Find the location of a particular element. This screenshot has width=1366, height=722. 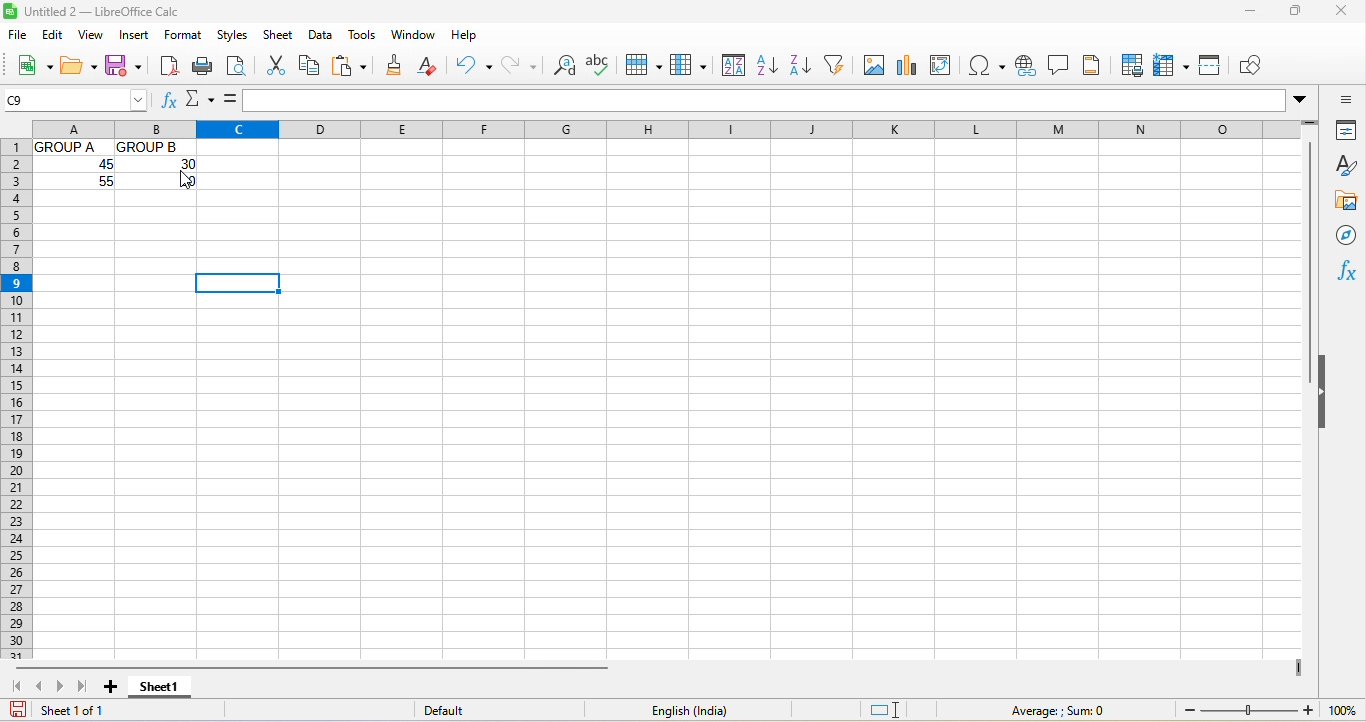

save is located at coordinates (15, 710).